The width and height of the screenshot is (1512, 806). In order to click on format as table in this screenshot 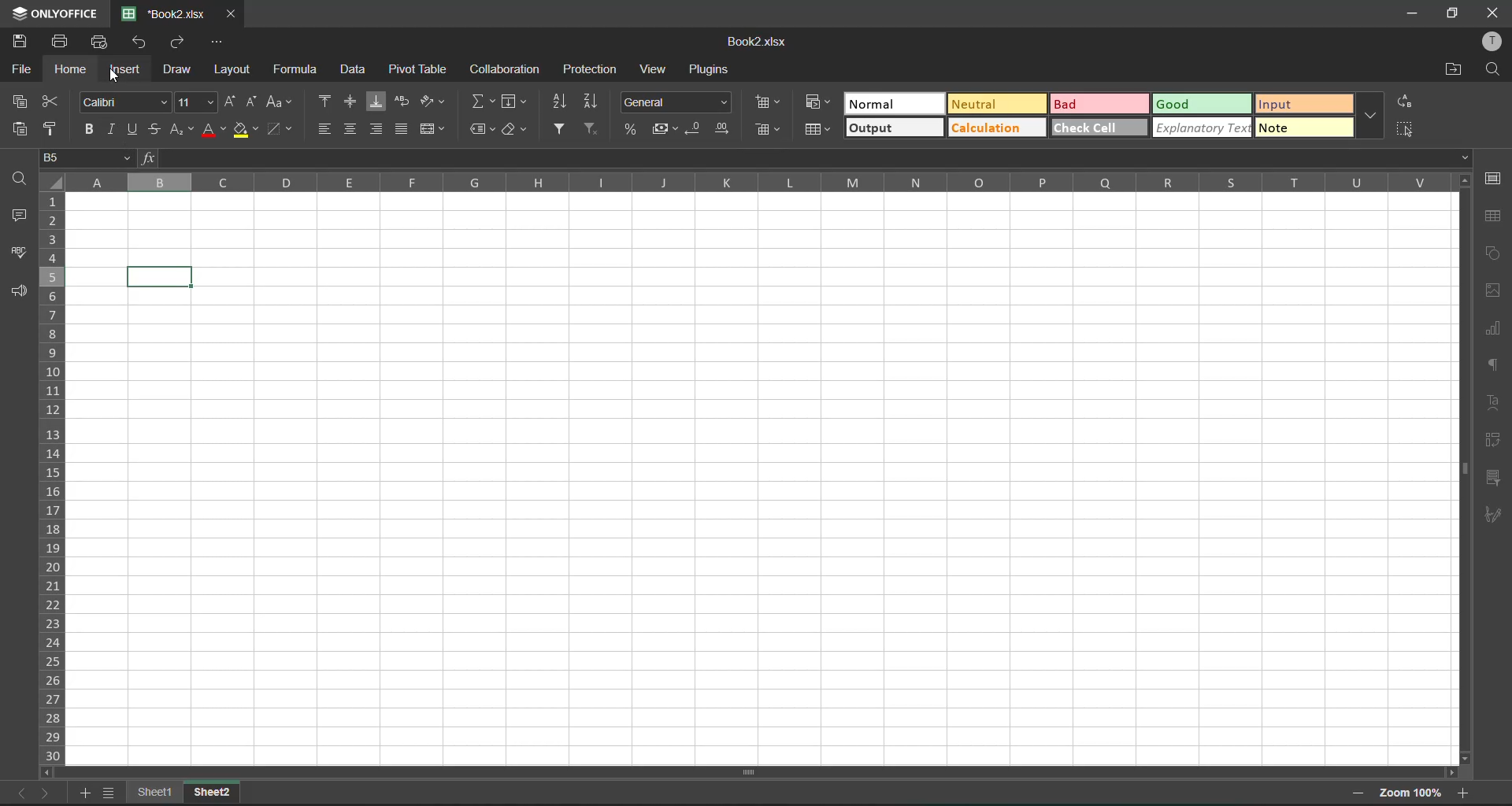, I will do `click(817, 127)`.